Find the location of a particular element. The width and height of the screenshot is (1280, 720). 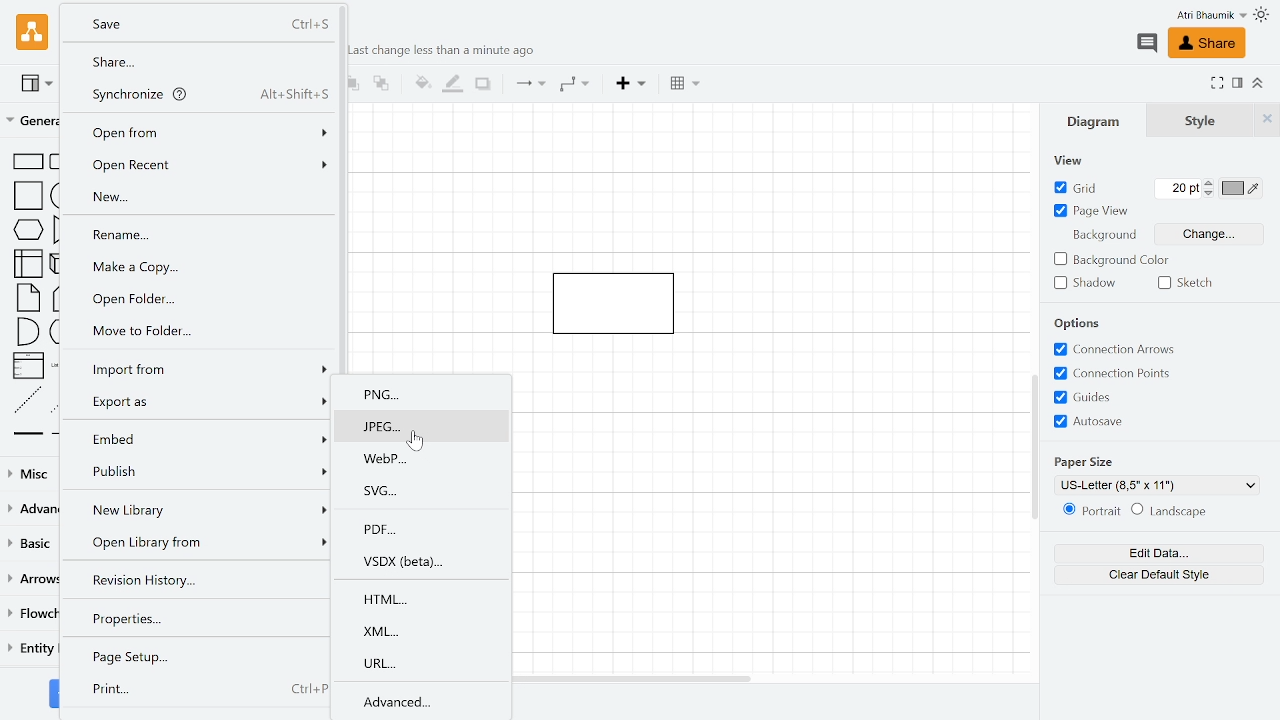

Diagrams is located at coordinates (1095, 124).